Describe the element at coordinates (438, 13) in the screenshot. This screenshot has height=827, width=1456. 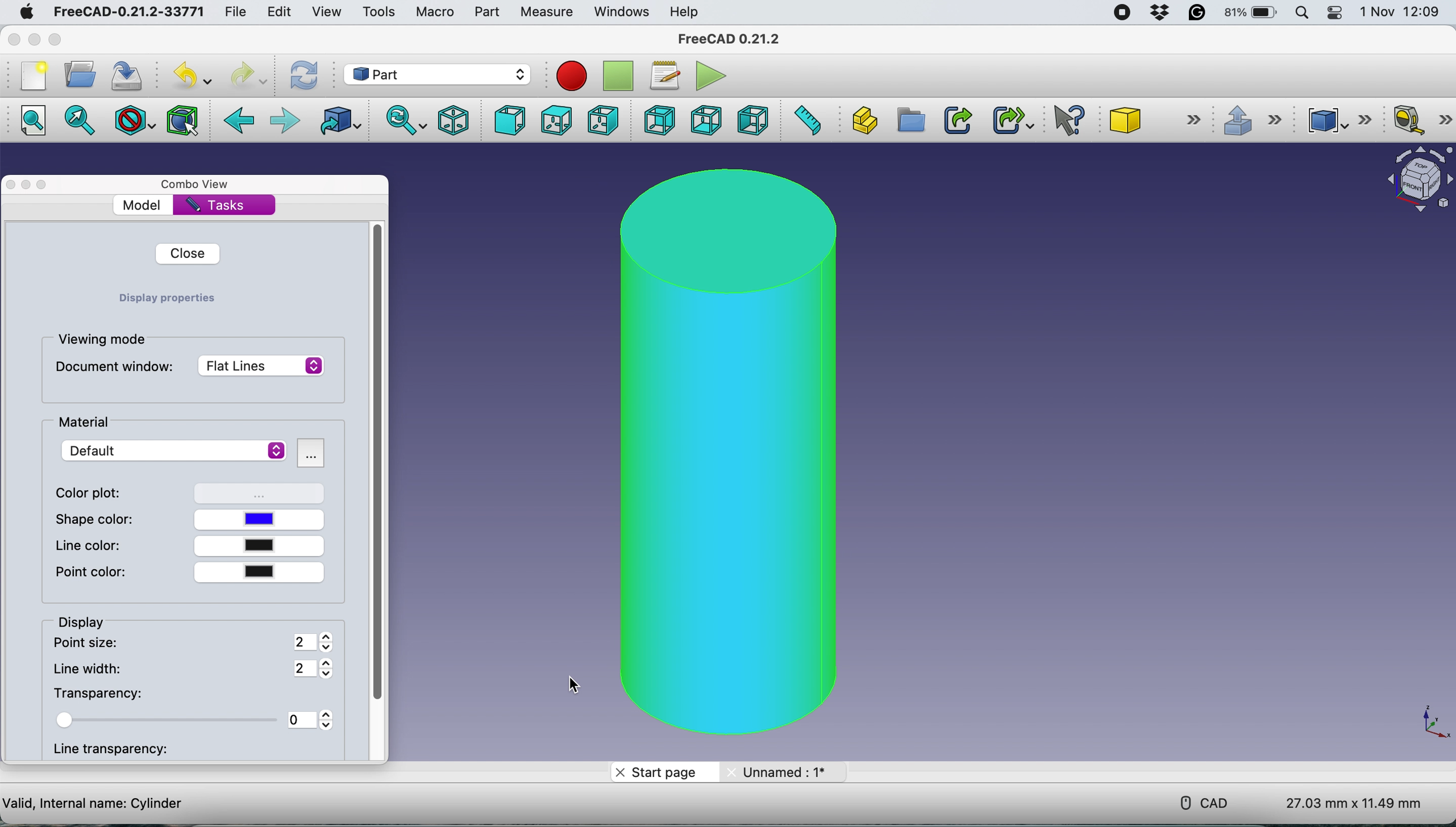
I see `macro` at that location.